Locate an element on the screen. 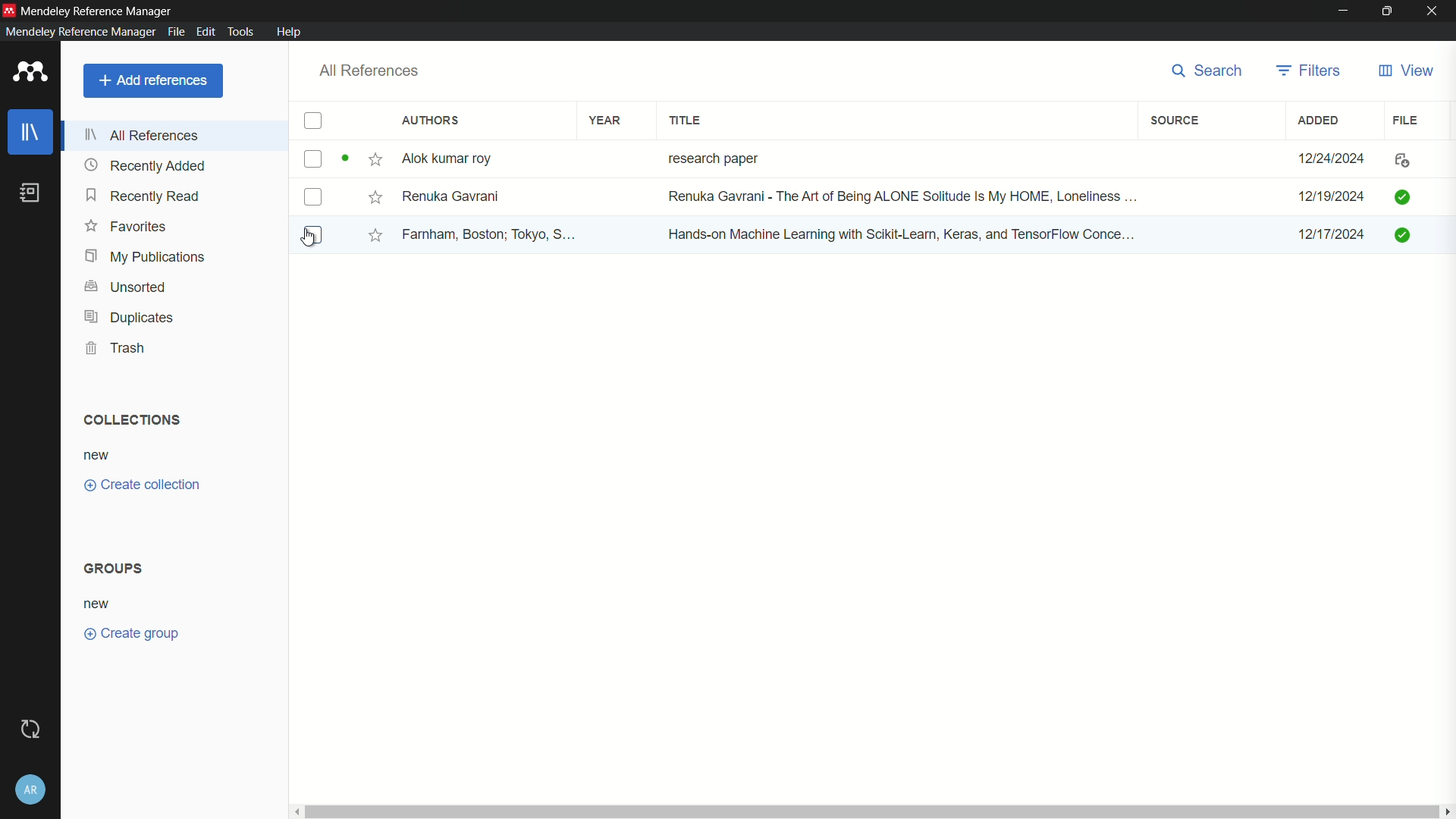 Image resolution: width=1456 pixels, height=819 pixels. Mendeley Reference Manager is located at coordinates (81, 31).